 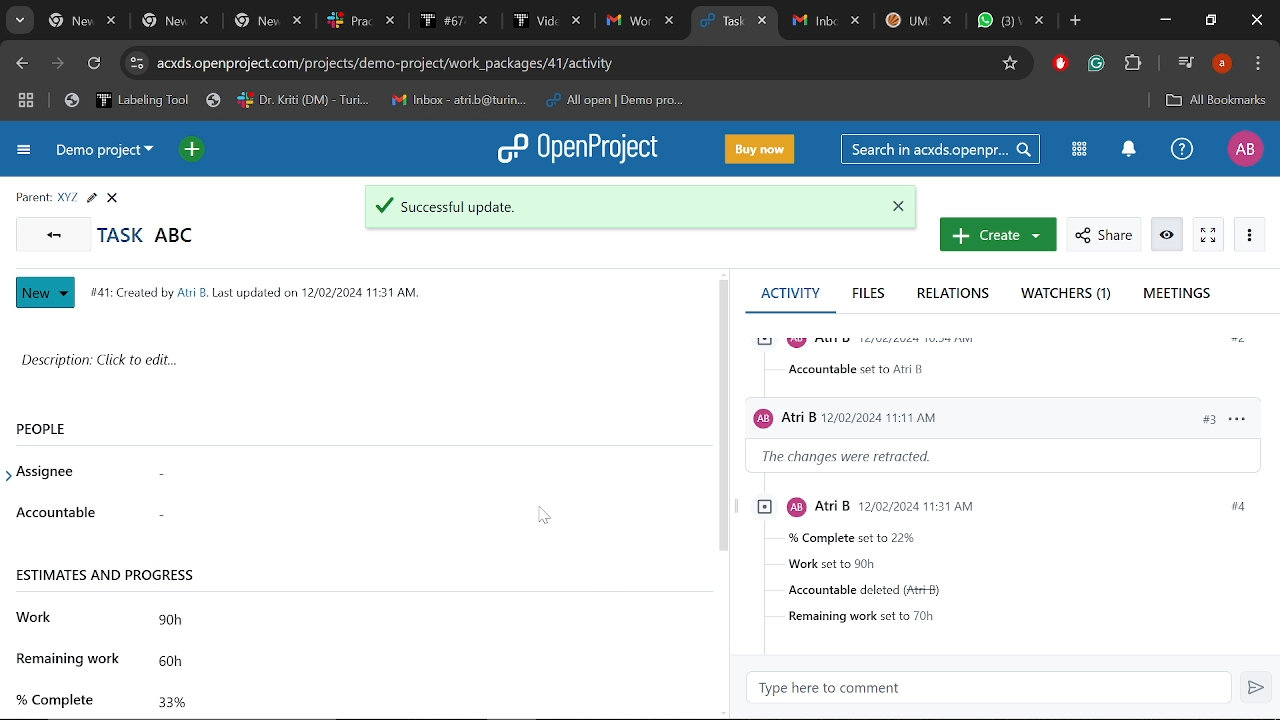 I want to click on Minimize, so click(x=1164, y=22).